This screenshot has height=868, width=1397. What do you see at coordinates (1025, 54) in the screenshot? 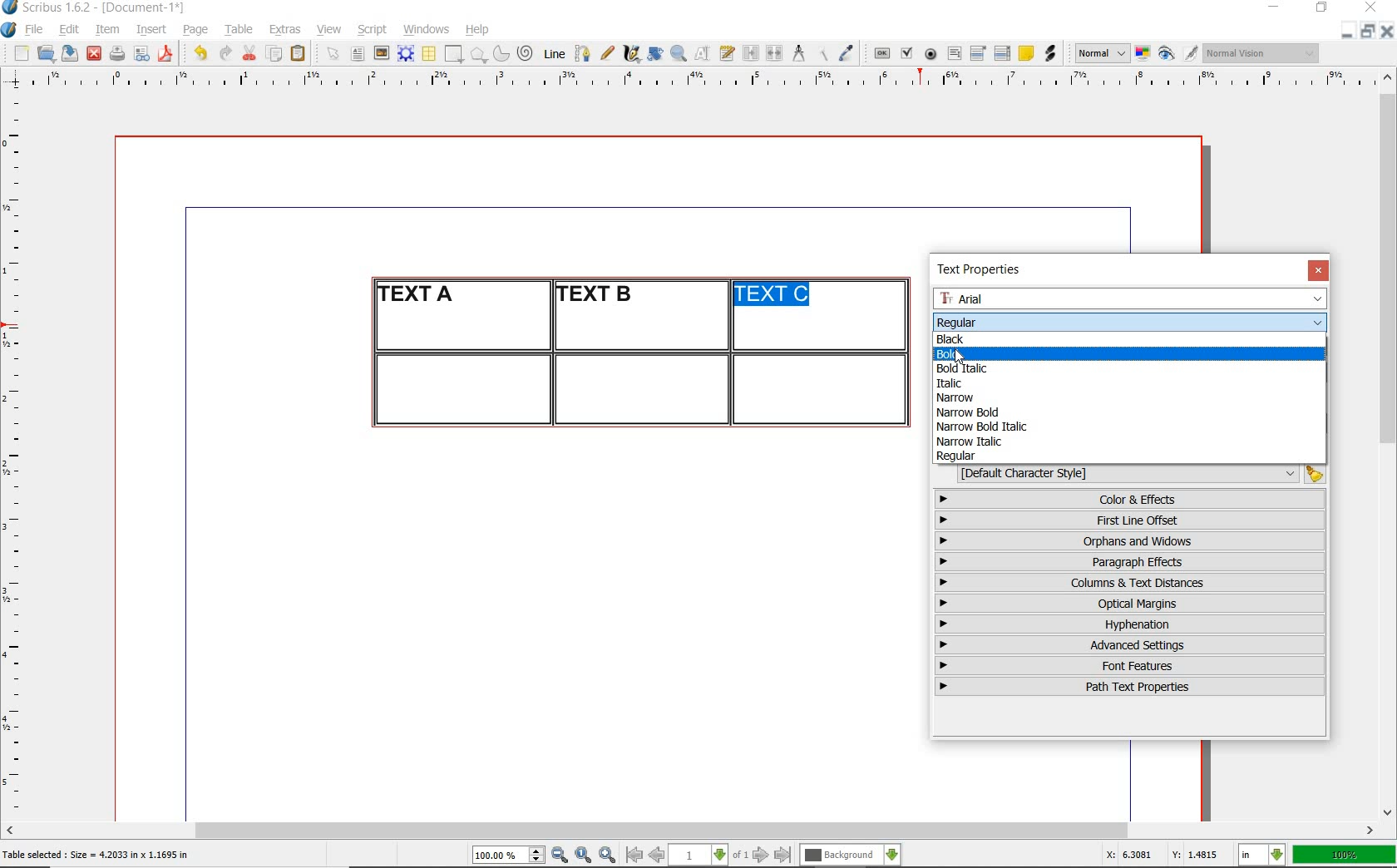
I see `text annotation` at bounding box center [1025, 54].